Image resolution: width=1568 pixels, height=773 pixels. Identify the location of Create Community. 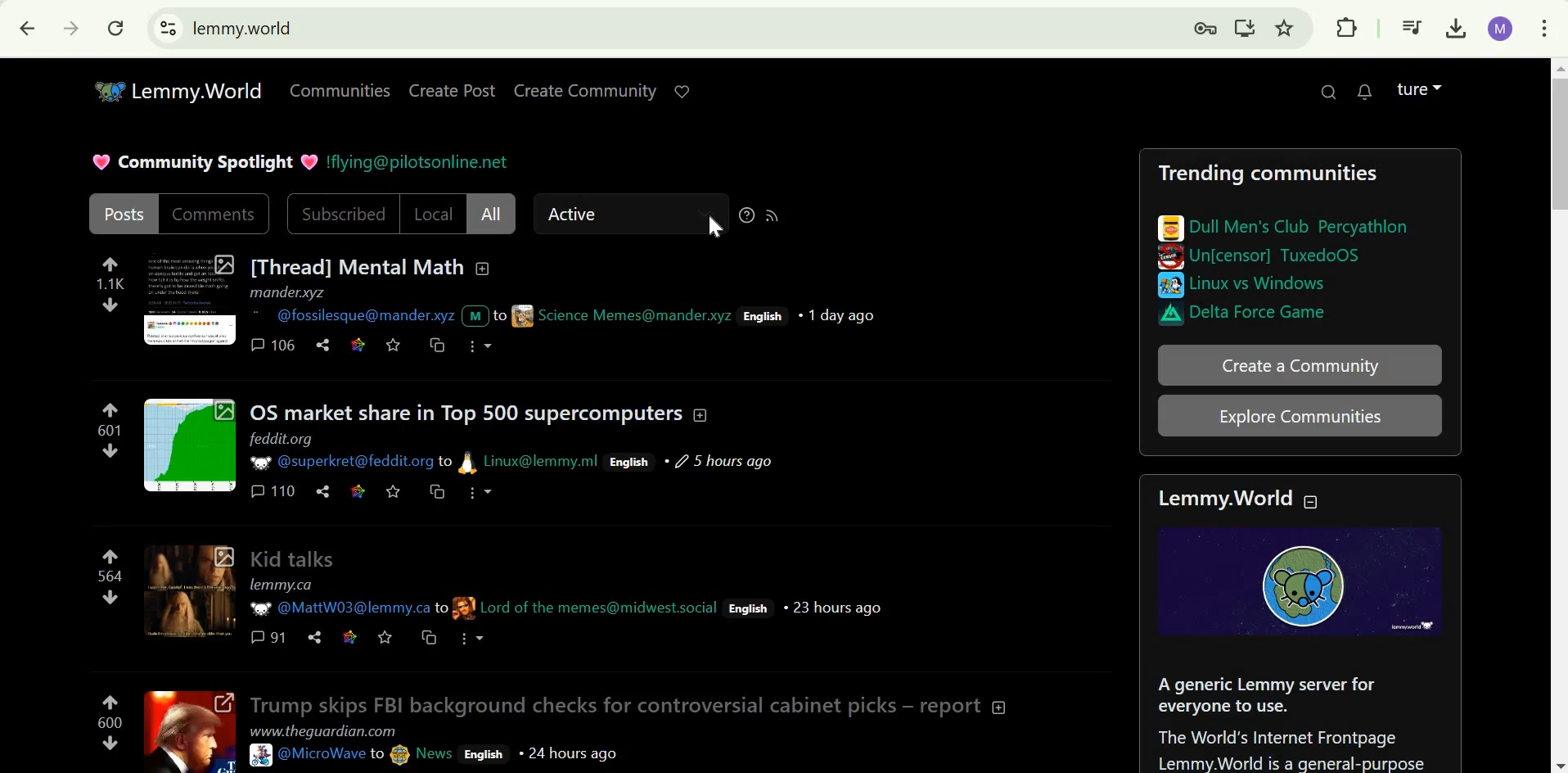
(589, 91).